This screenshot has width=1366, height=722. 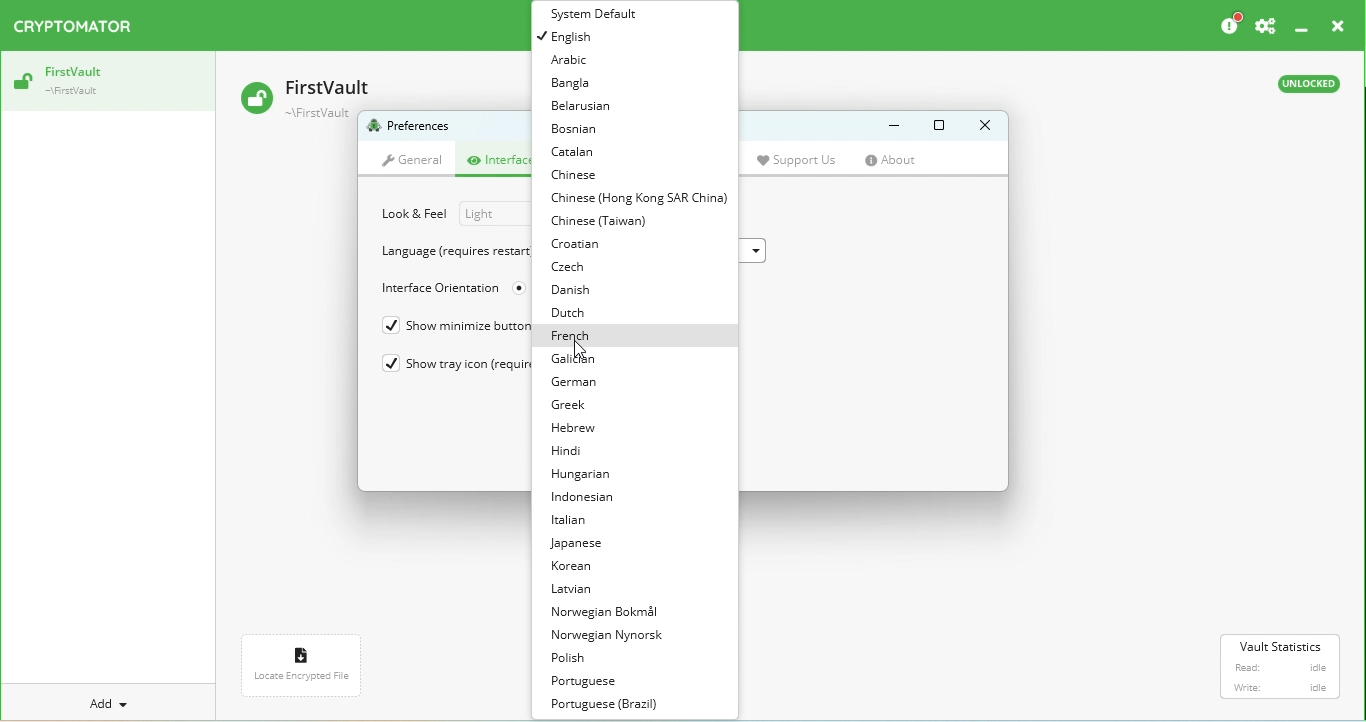 I want to click on Add a new vault, so click(x=111, y=703).